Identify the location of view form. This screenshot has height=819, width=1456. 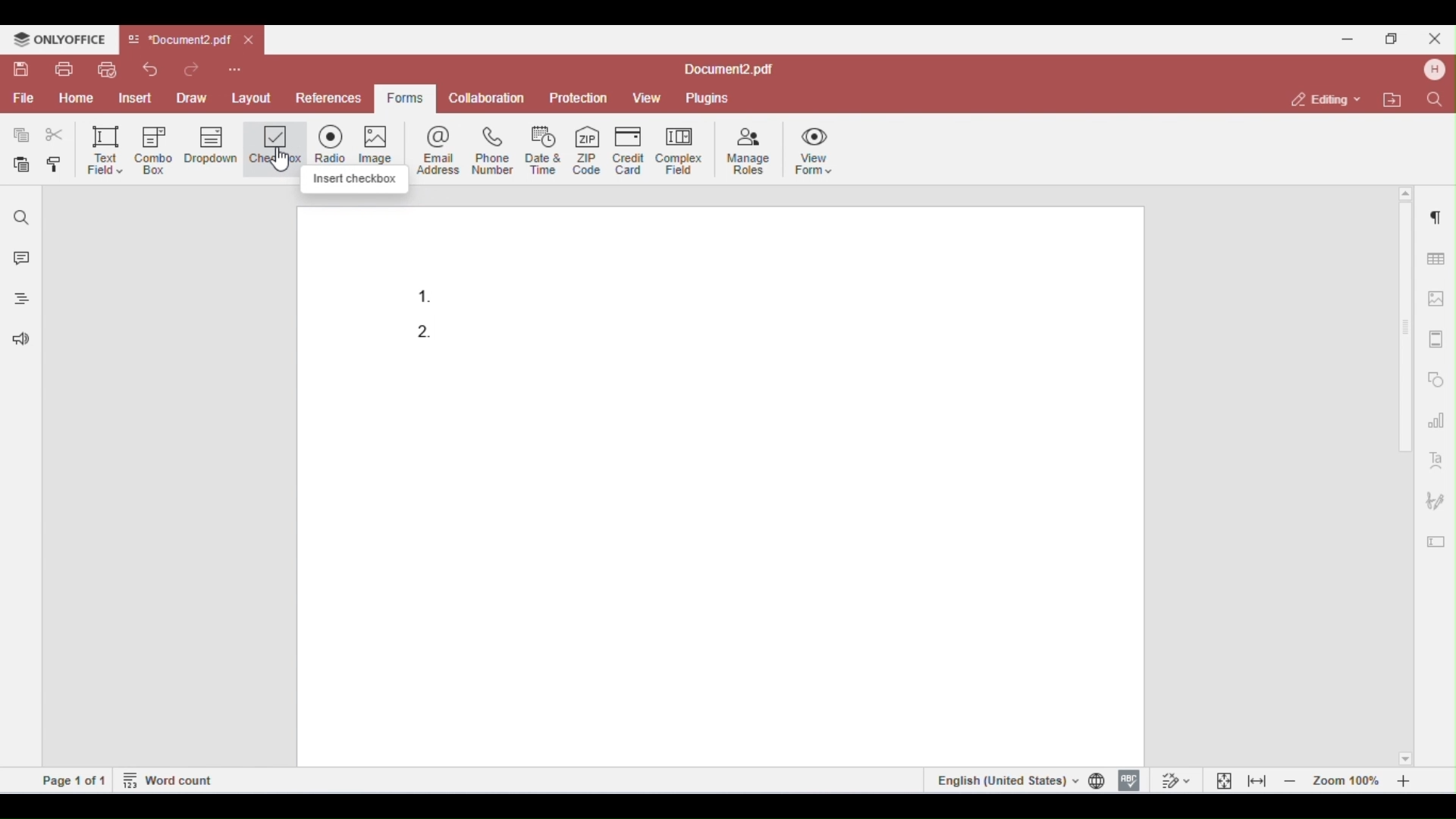
(817, 149).